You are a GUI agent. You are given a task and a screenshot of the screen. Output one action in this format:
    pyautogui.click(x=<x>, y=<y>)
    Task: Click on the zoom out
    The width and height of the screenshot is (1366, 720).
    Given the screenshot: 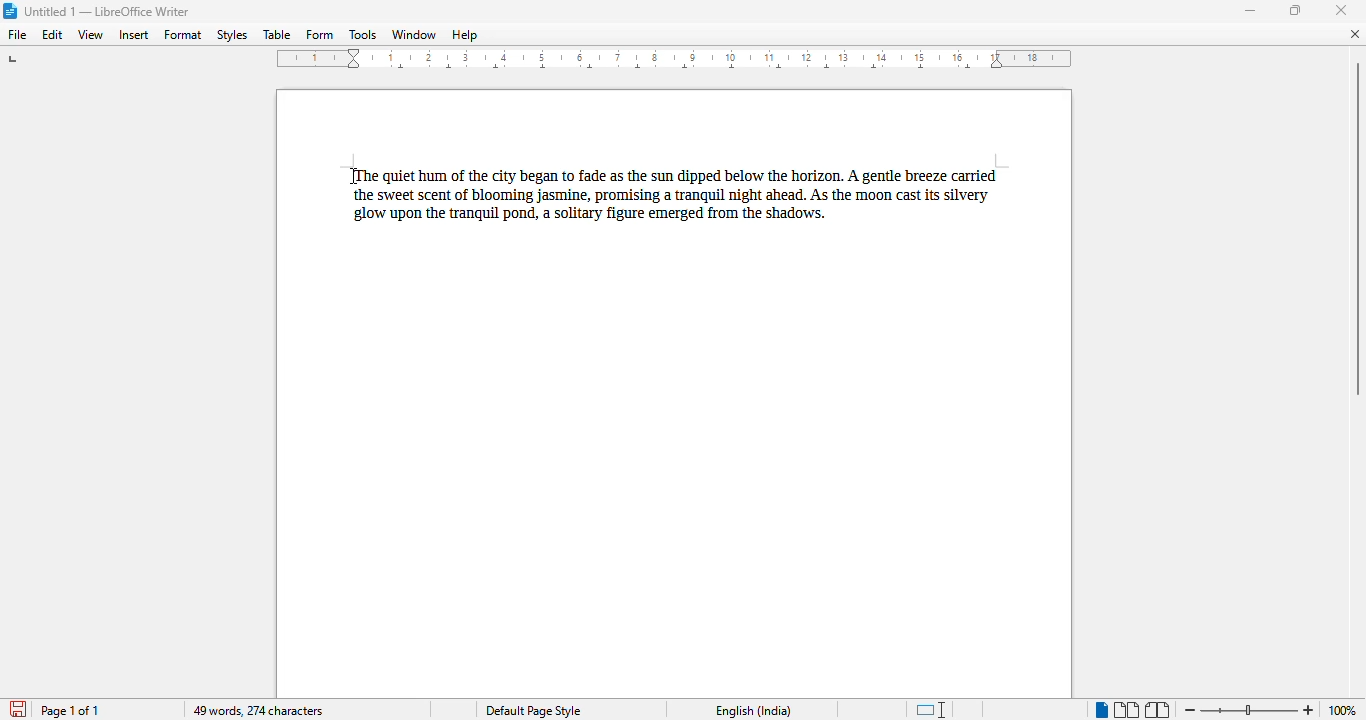 What is the action you would take?
    pyautogui.click(x=1192, y=710)
    